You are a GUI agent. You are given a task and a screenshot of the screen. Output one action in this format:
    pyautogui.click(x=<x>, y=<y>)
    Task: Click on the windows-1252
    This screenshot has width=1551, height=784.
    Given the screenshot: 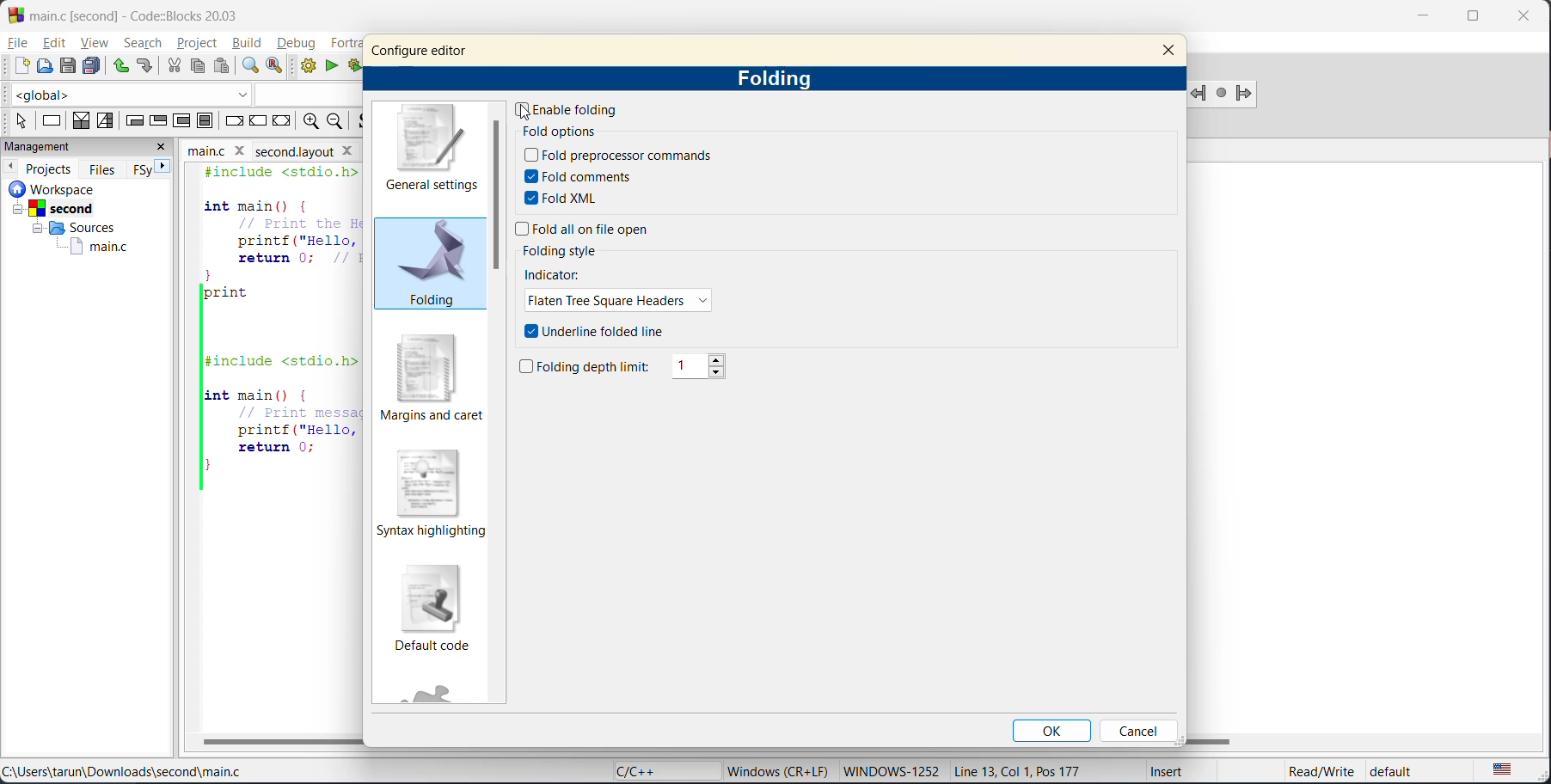 What is the action you would take?
    pyautogui.click(x=891, y=772)
    